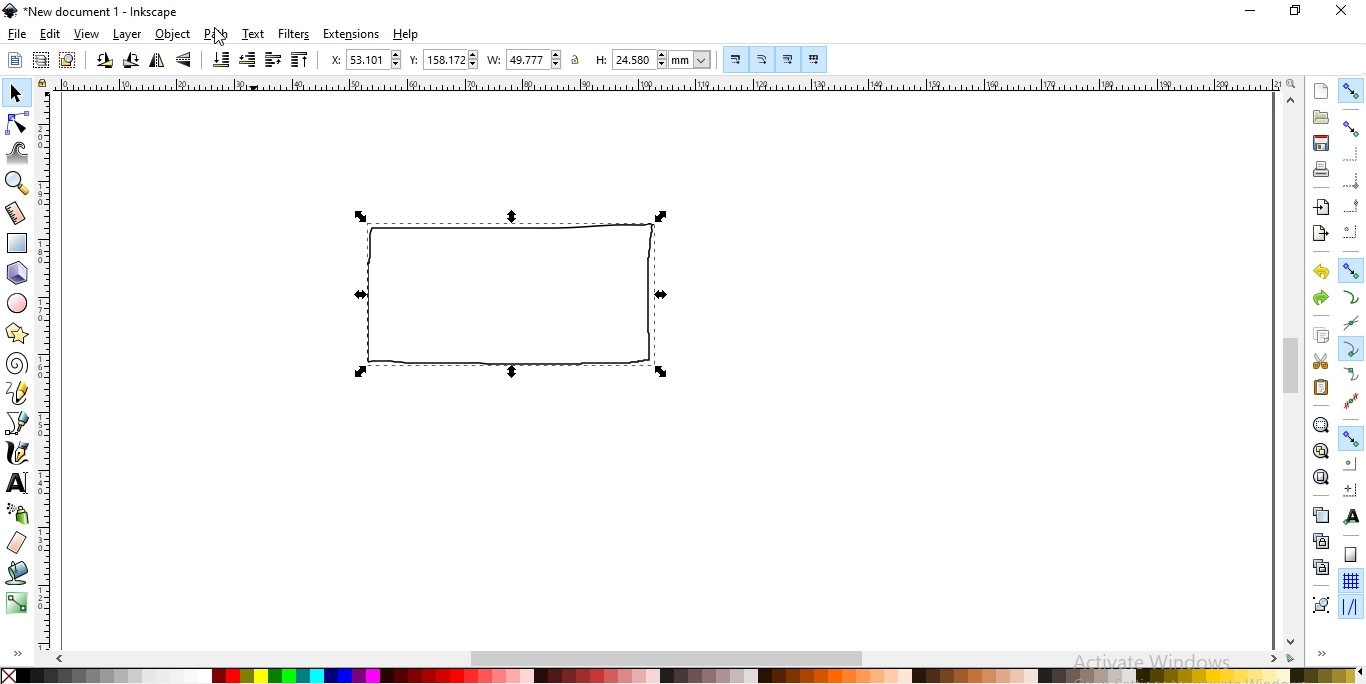 The image size is (1366, 684). What do you see at coordinates (1320, 425) in the screenshot?
I see `zoom to fit selection` at bounding box center [1320, 425].